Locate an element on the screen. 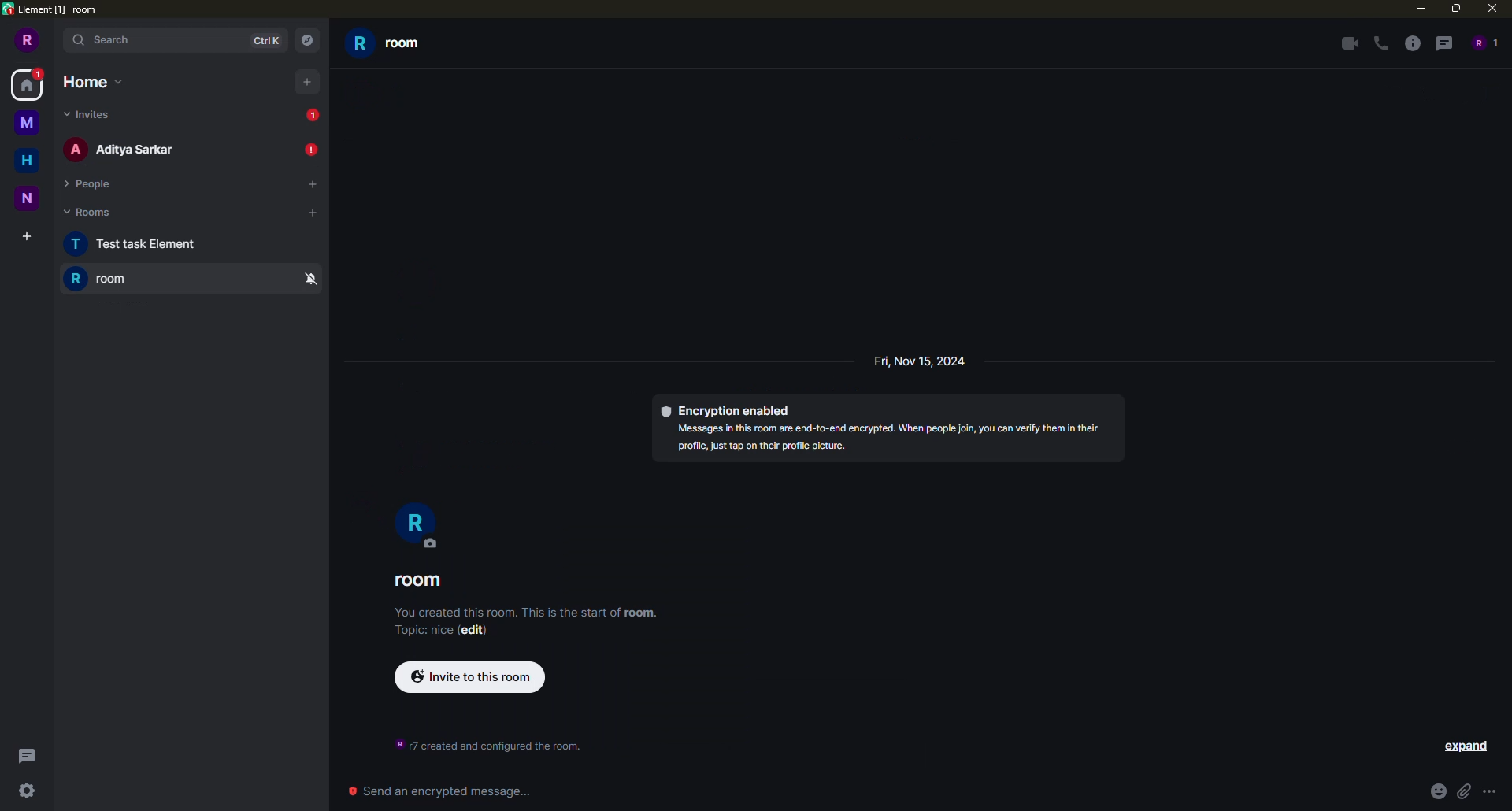  new is located at coordinates (28, 200).